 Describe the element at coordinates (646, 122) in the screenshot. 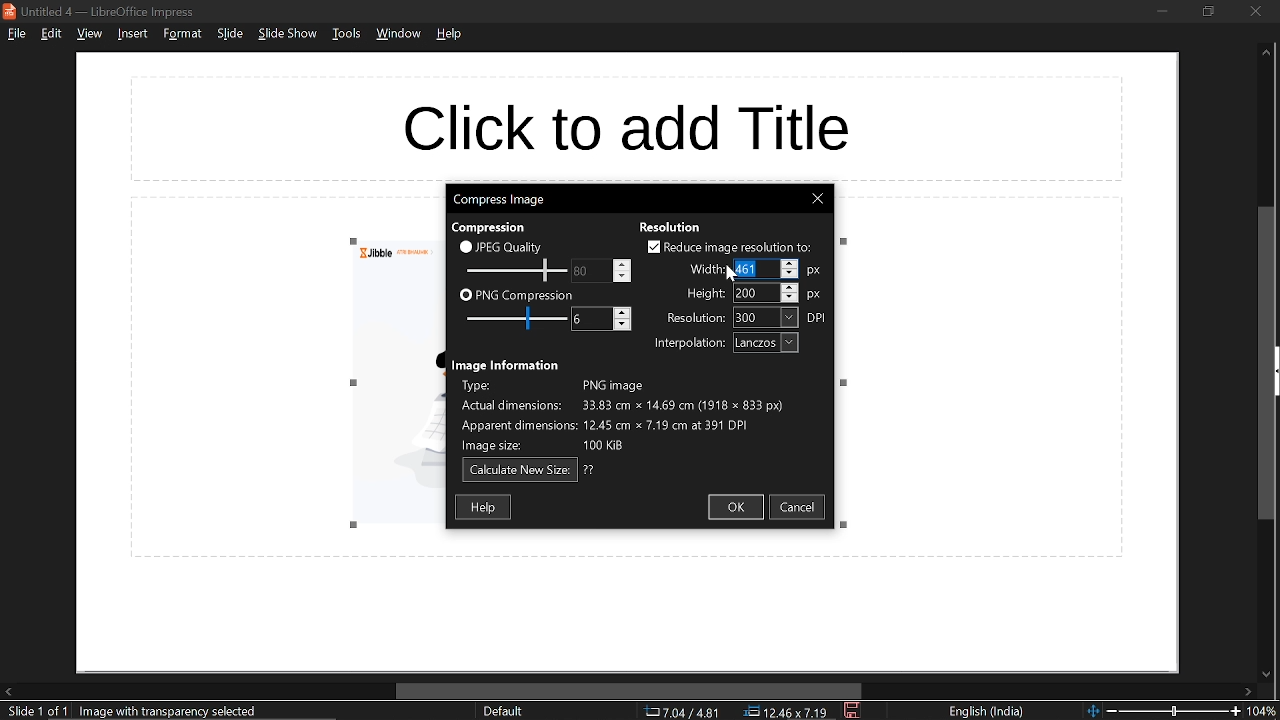

I see `space for title` at that location.